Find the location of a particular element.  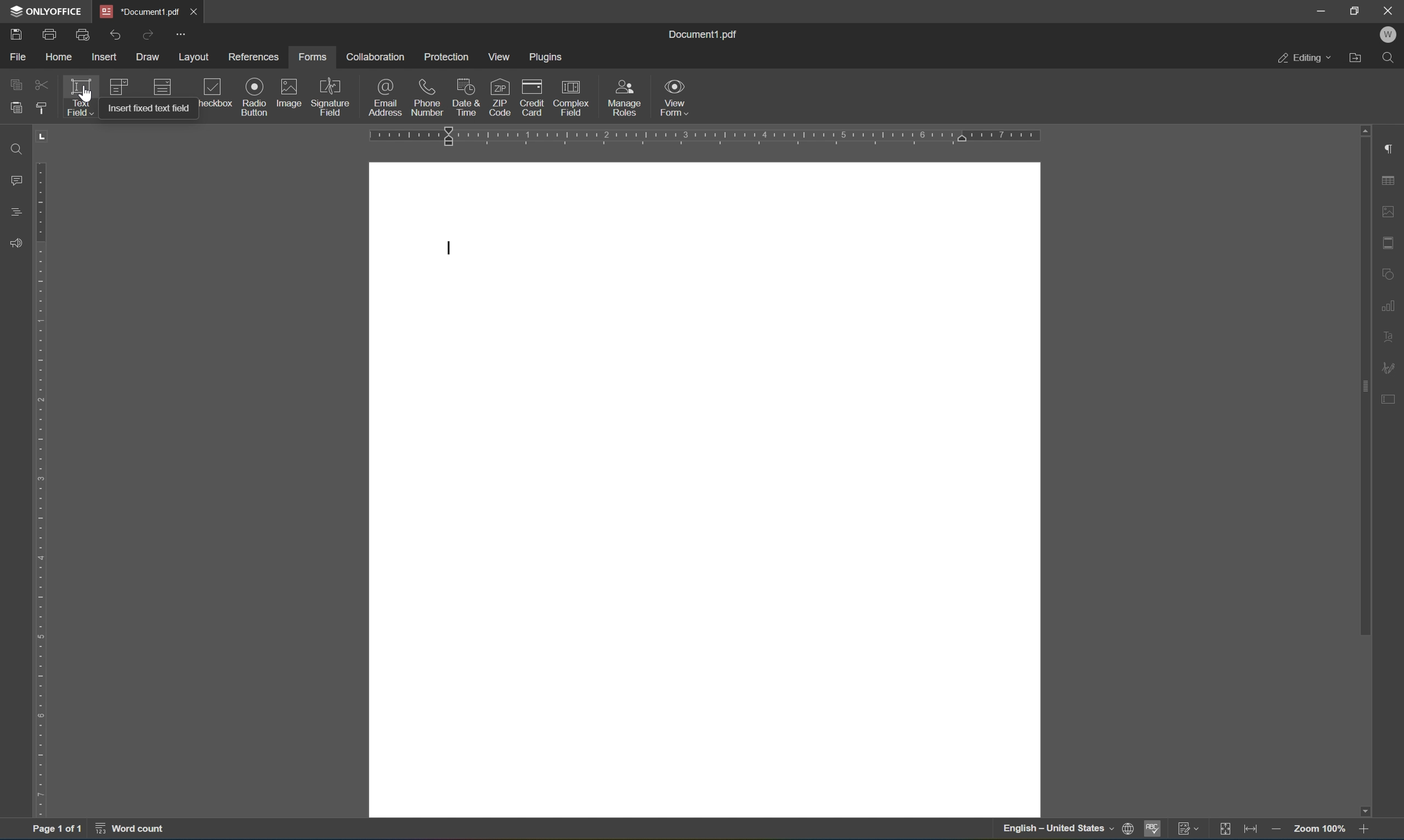

welcome is located at coordinates (1388, 35).